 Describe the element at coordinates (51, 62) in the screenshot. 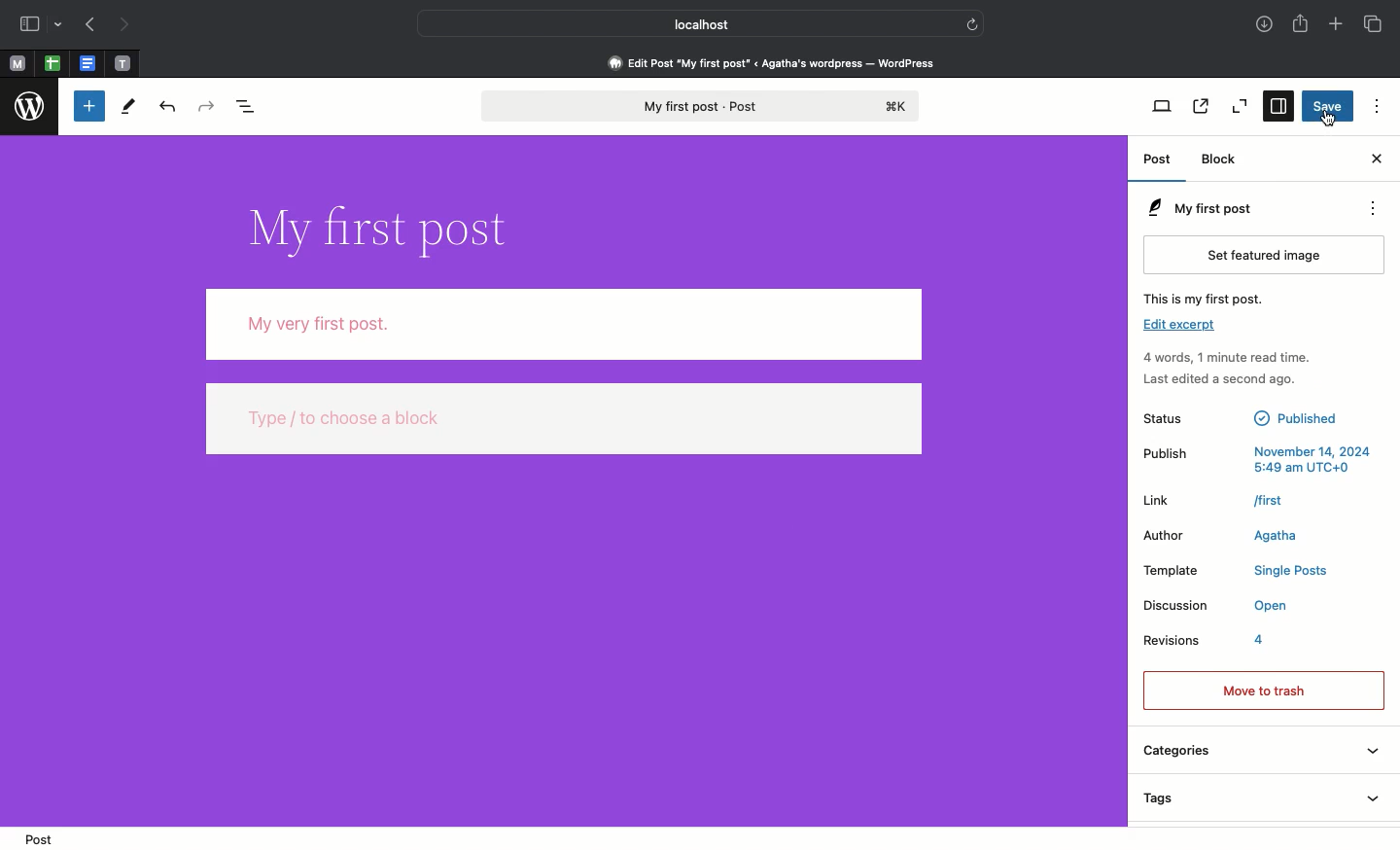

I see `excel sheet` at that location.